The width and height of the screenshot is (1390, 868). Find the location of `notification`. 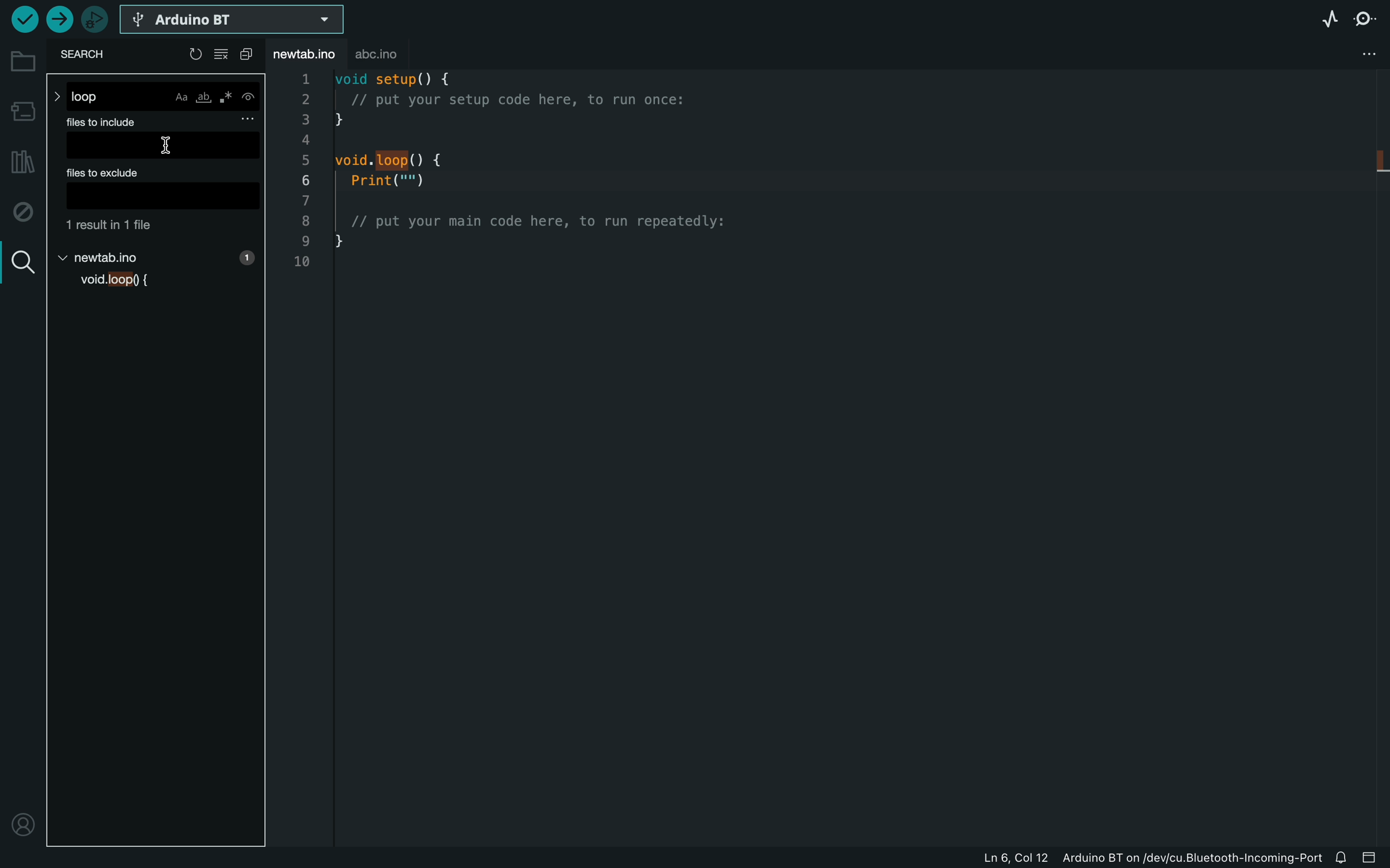

notification is located at coordinates (1344, 854).